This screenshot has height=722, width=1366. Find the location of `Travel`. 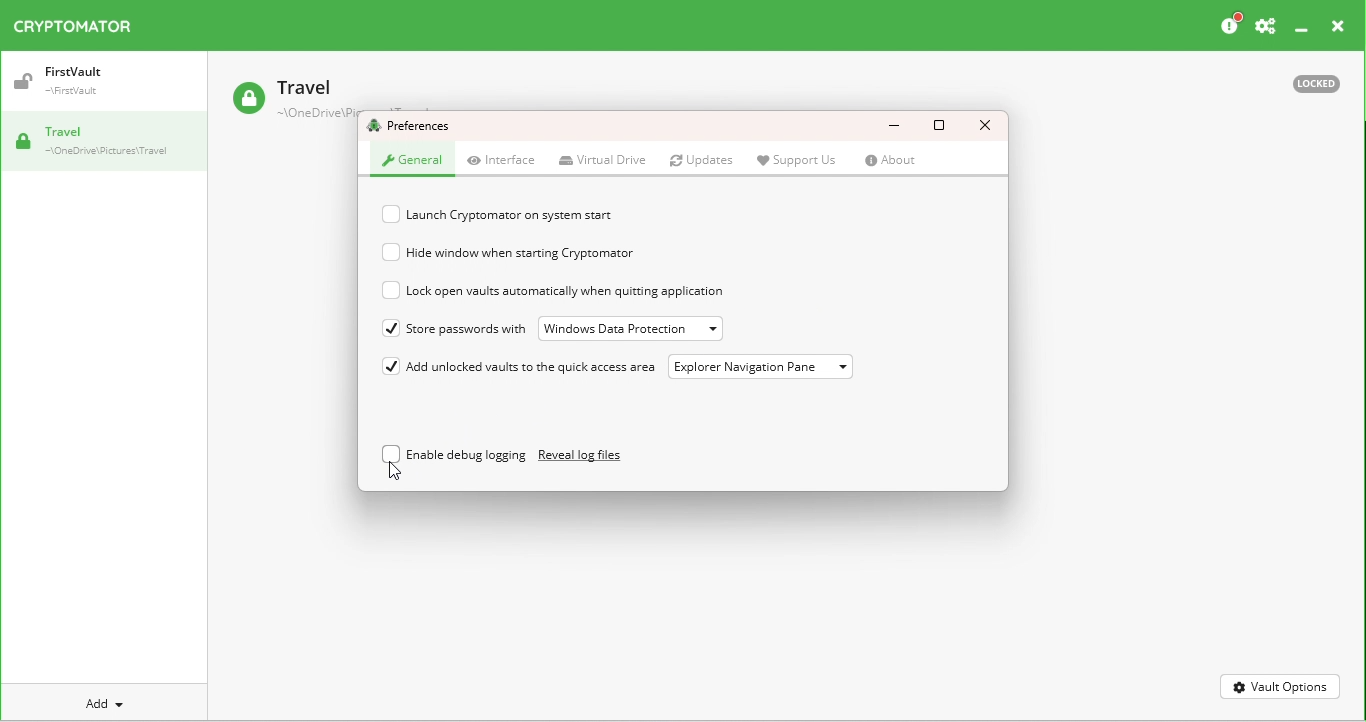

Travel is located at coordinates (284, 96).